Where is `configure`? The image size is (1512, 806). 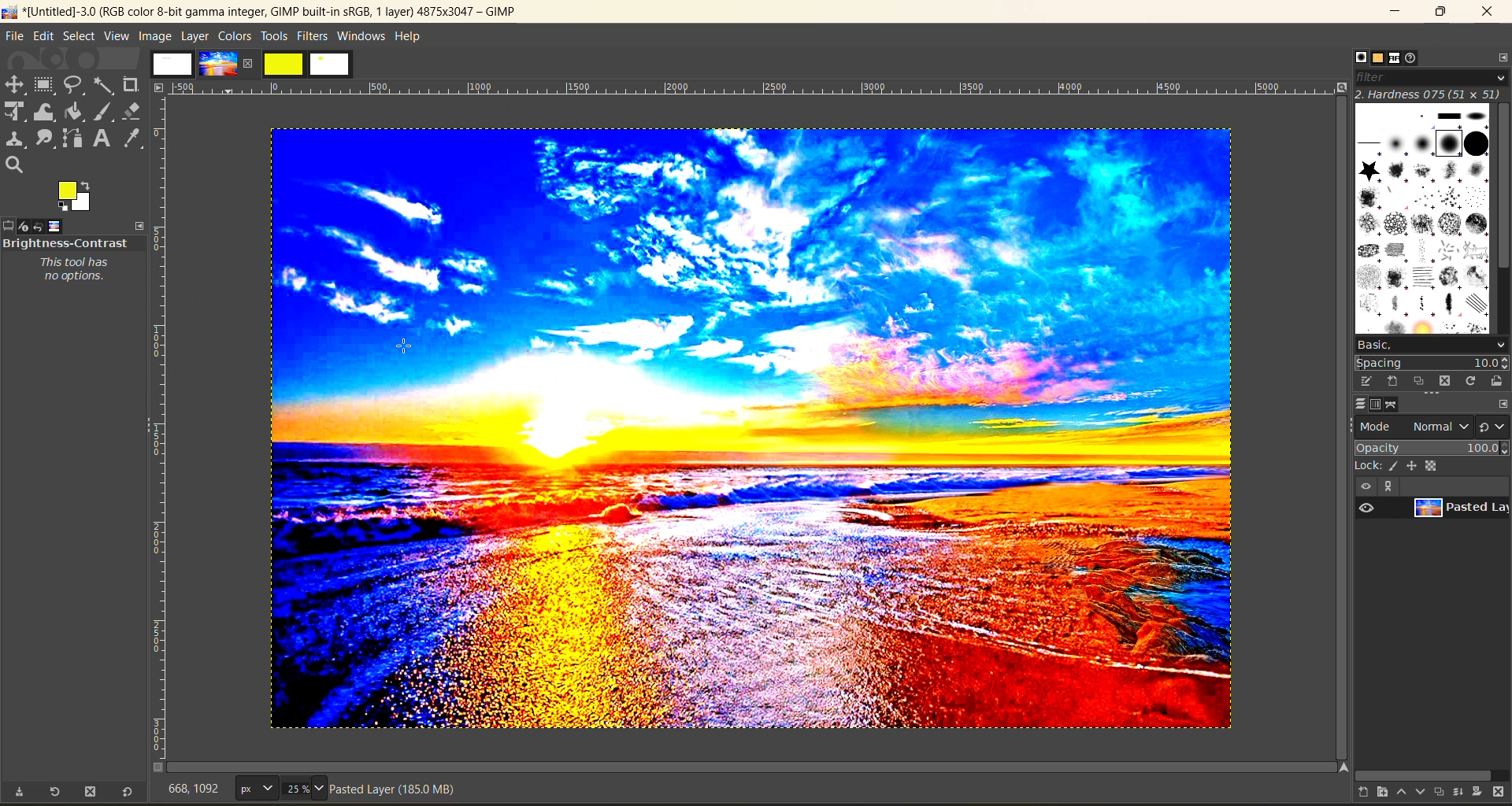
configure is located at coordinates (1499, 57).